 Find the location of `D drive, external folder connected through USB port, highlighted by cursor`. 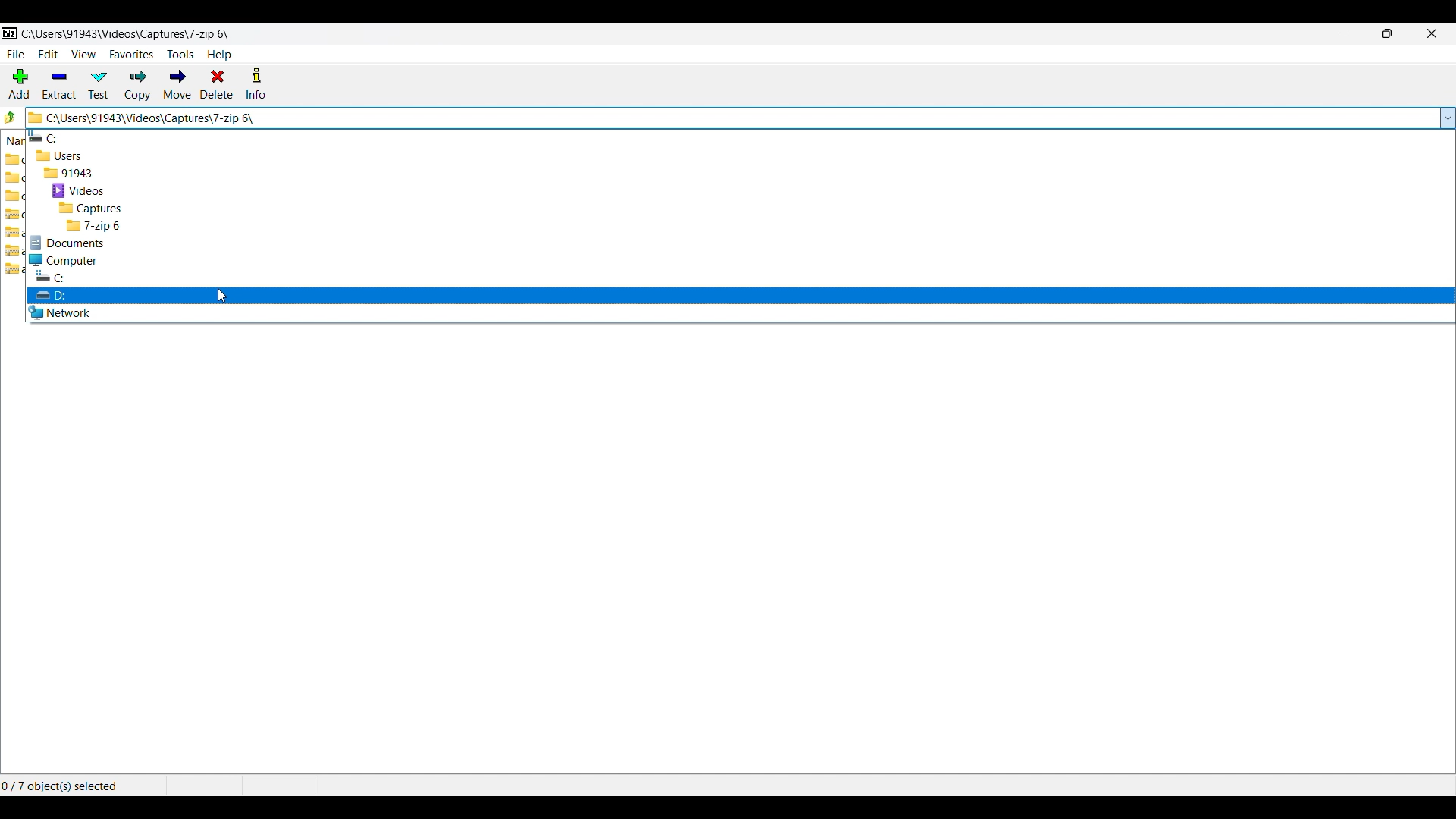

D drive, external folder connected through USB port, highlighted by cursor is located at coordinates (740, 294).